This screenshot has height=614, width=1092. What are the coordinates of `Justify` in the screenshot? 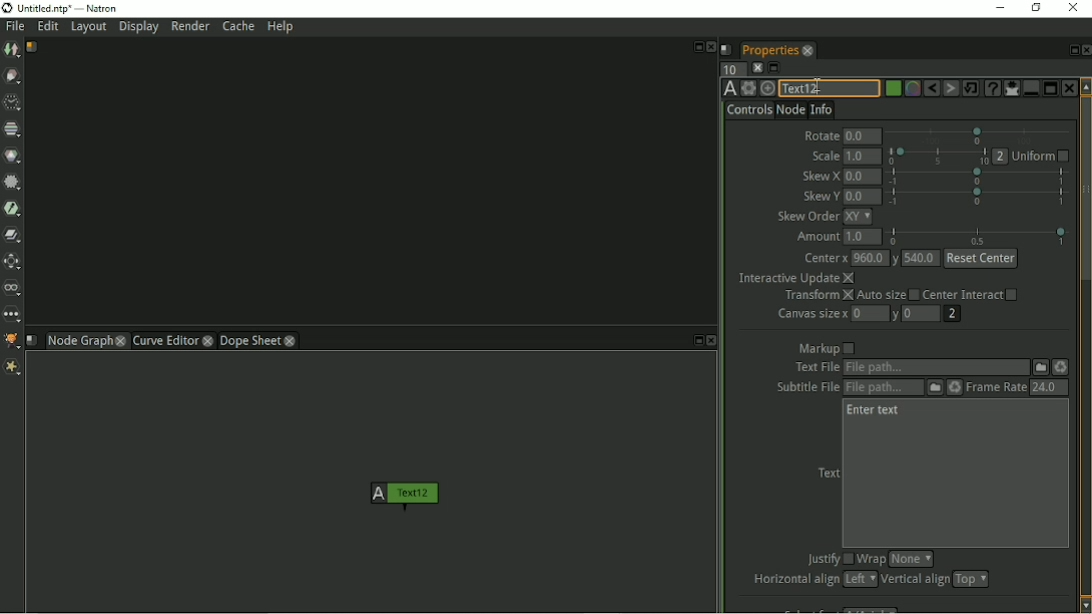 It's located at (827, 560).